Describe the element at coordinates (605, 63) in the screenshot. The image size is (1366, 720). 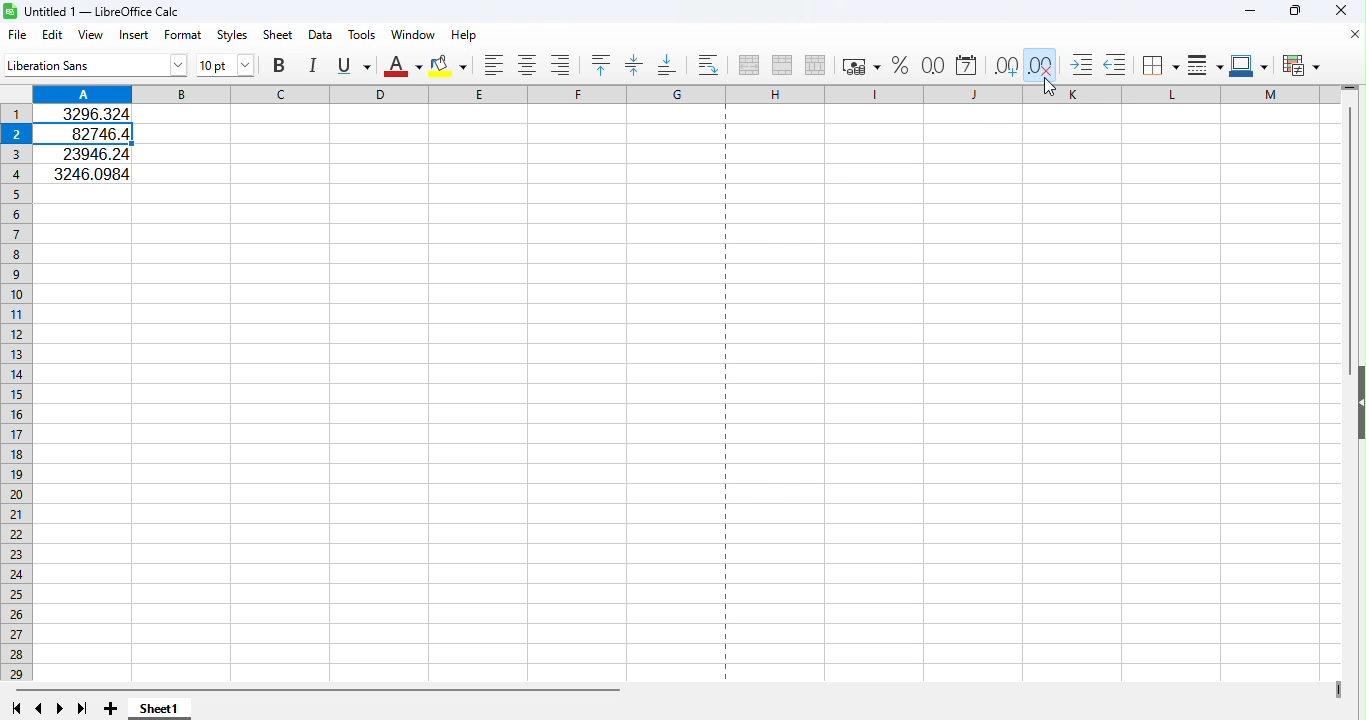
I see `Align top` at that location.